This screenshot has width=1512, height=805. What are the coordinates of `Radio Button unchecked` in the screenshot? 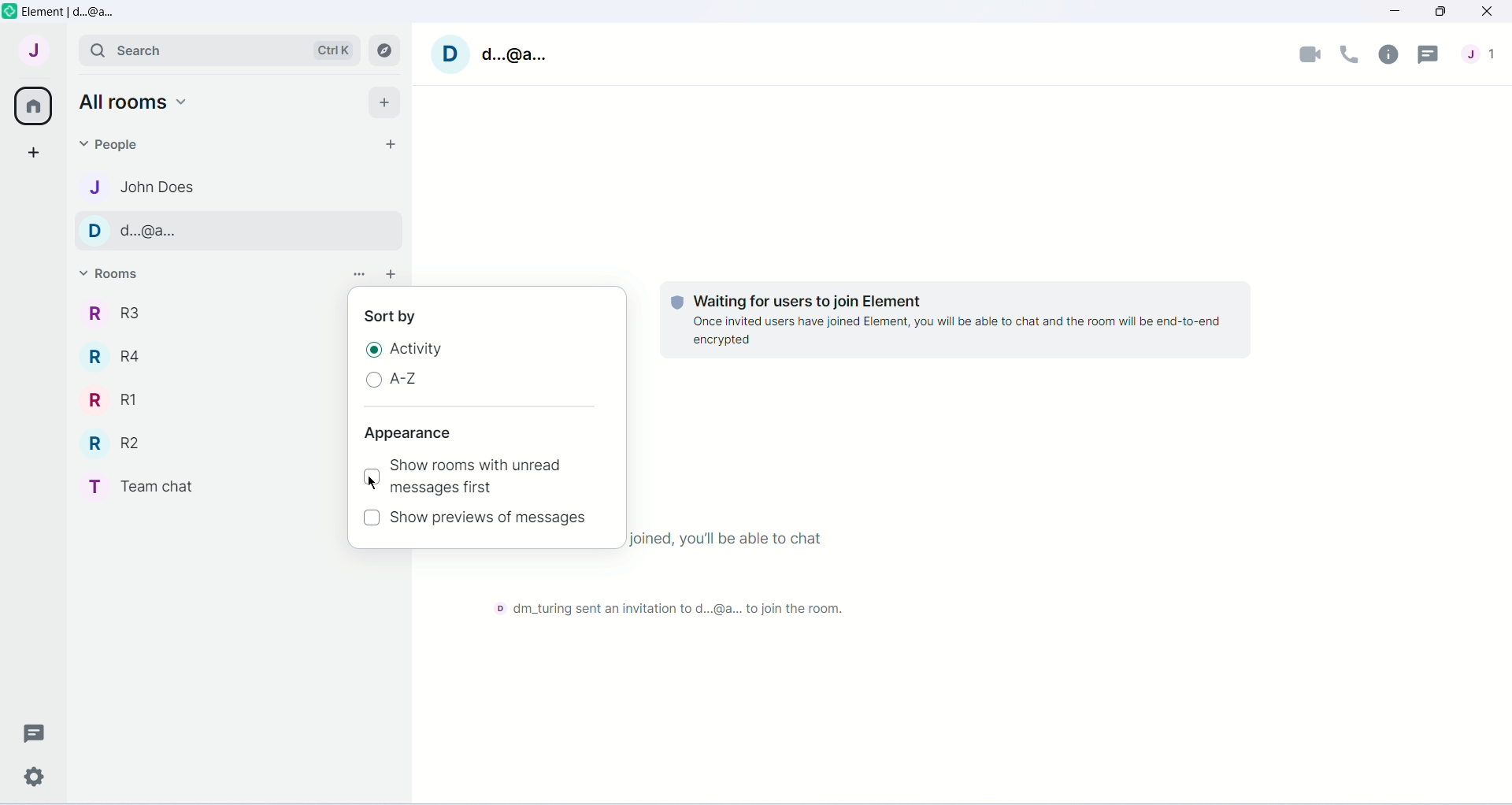 It's located at (372, 382).